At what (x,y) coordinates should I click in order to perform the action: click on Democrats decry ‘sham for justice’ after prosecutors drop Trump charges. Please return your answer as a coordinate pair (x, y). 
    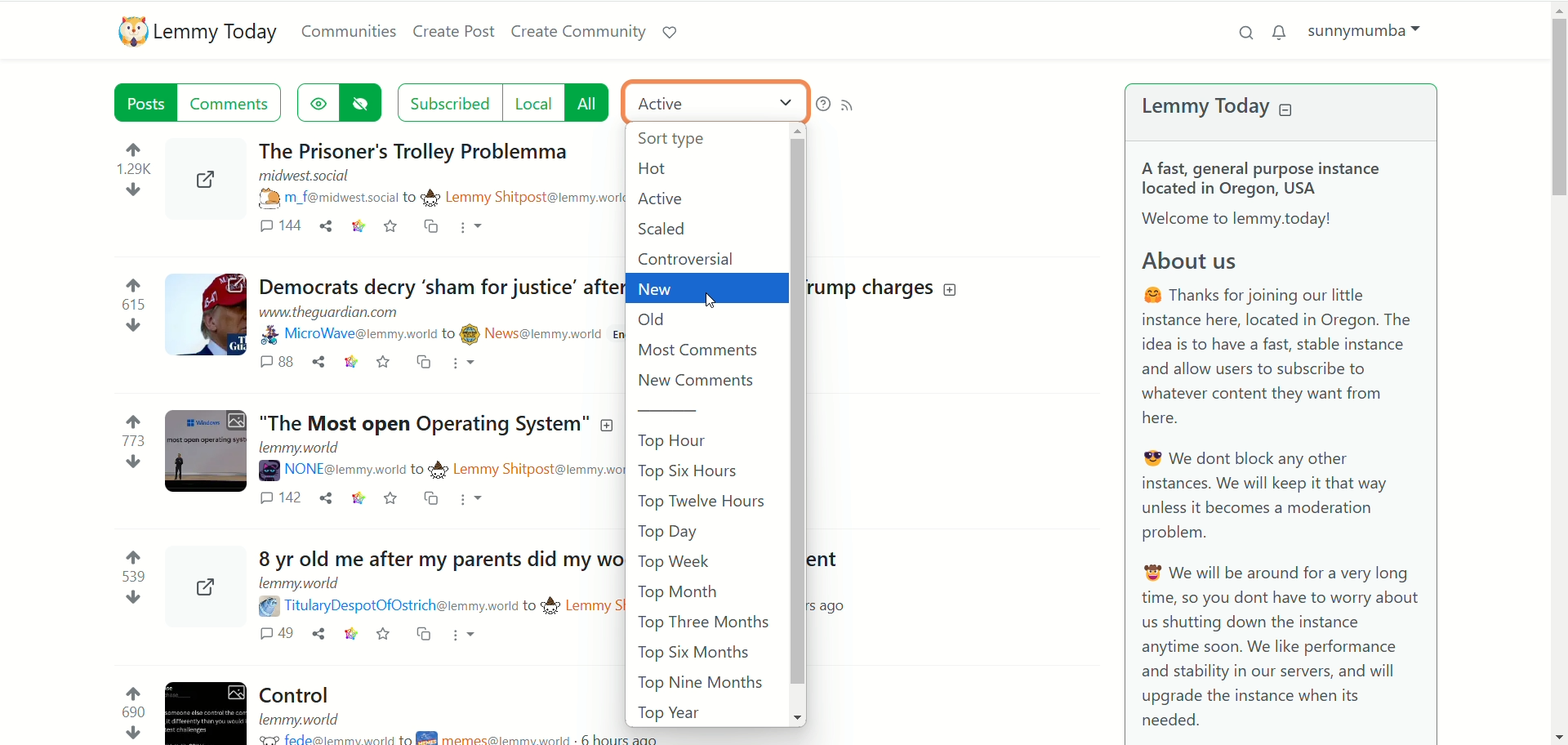
    Looking at the image, I should click on (437, 288).